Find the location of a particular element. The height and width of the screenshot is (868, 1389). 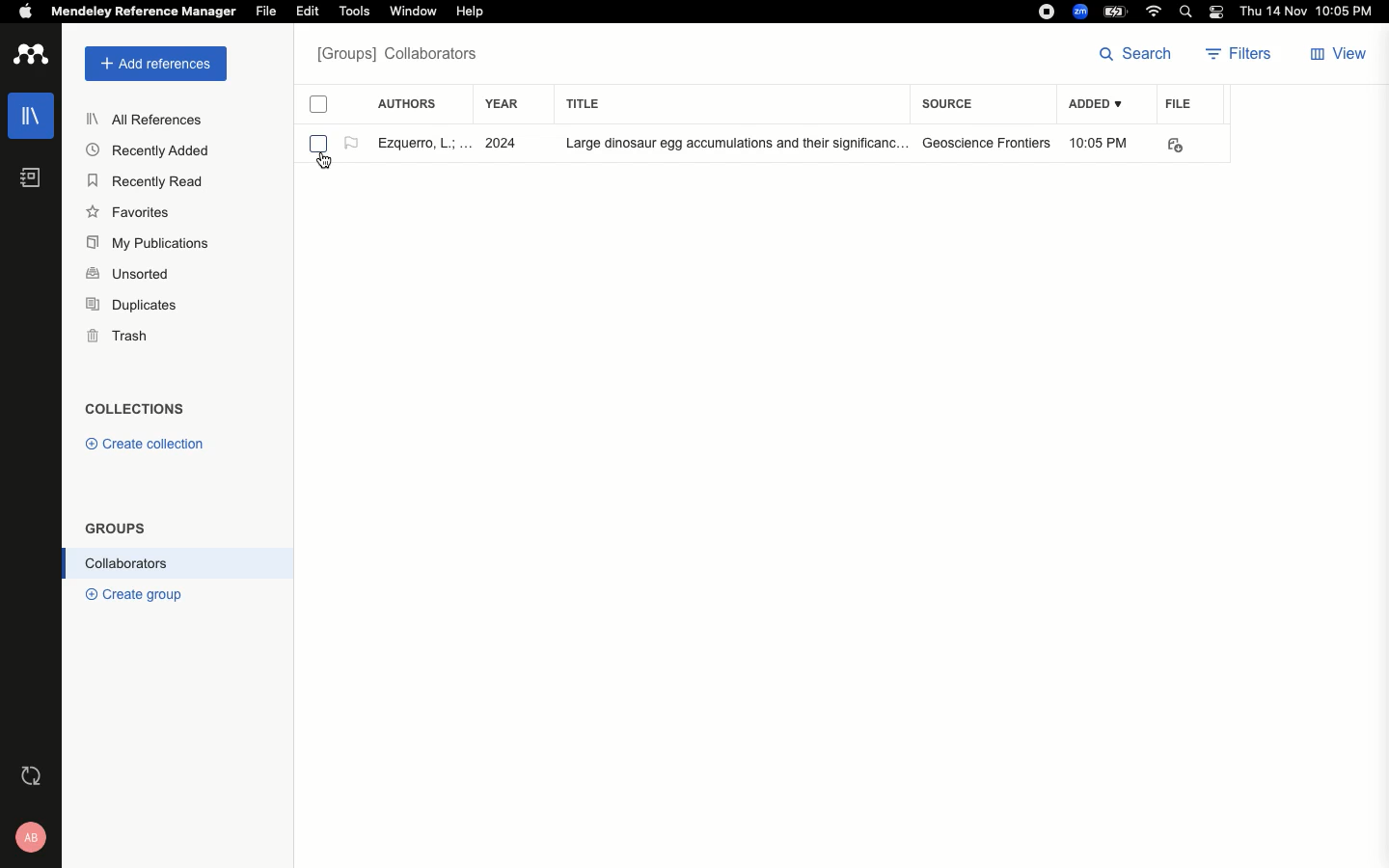

All references is located at coordinates (150, 121).